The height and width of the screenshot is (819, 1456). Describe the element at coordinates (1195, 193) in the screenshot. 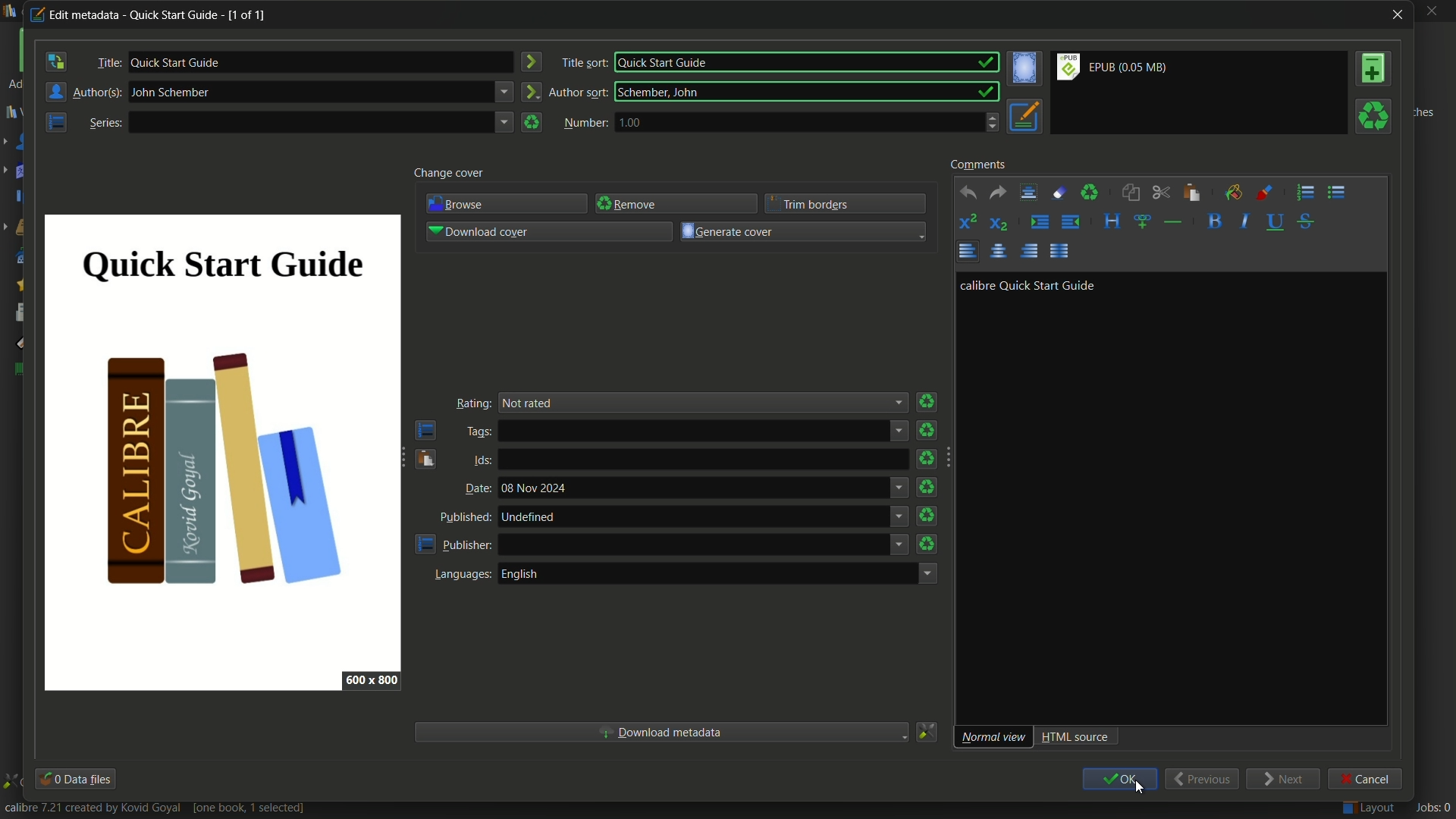

I see `paste` at that location.